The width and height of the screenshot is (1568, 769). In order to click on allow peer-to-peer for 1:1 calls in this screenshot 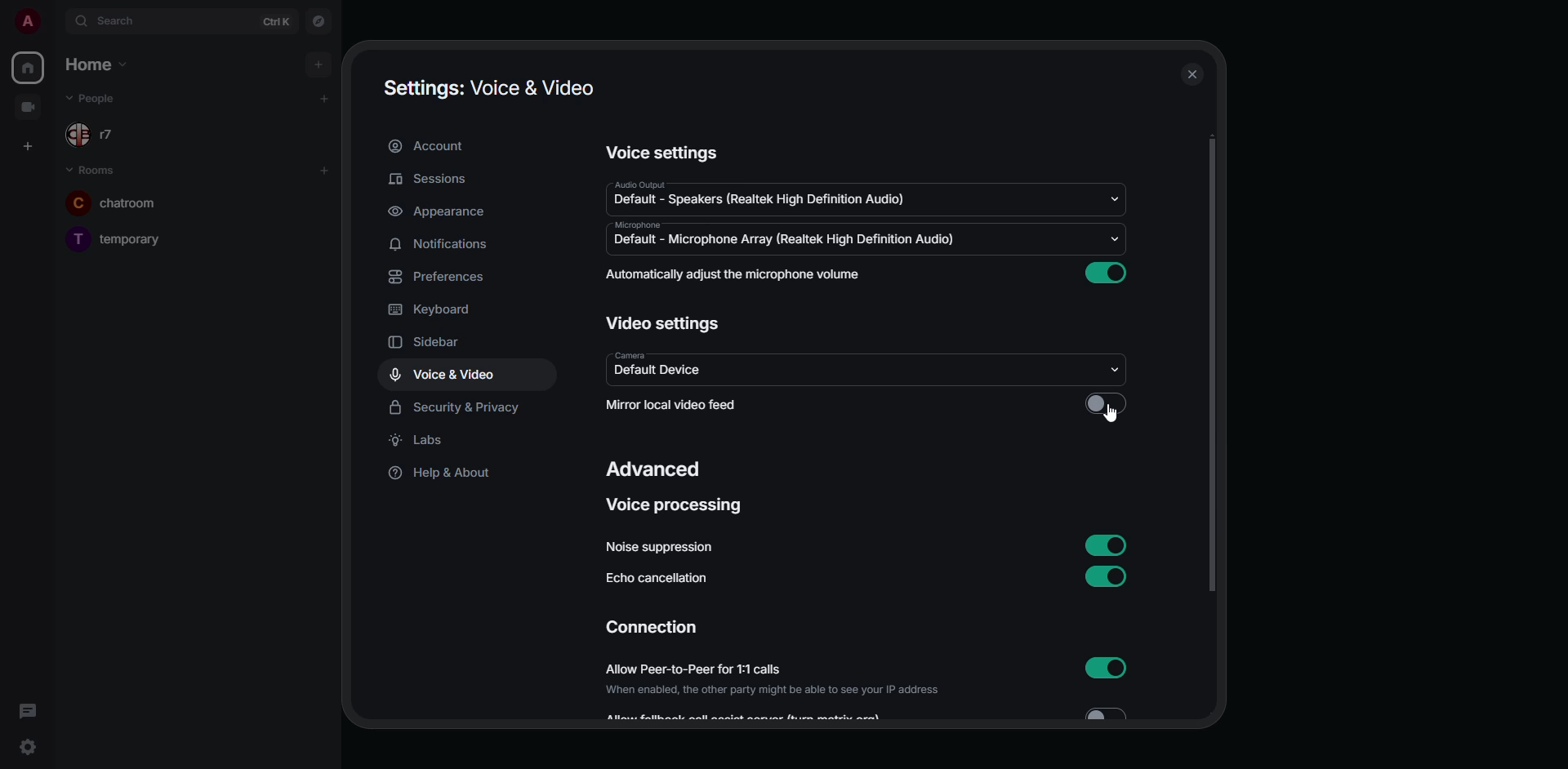, I will do `click(770, 668)`.